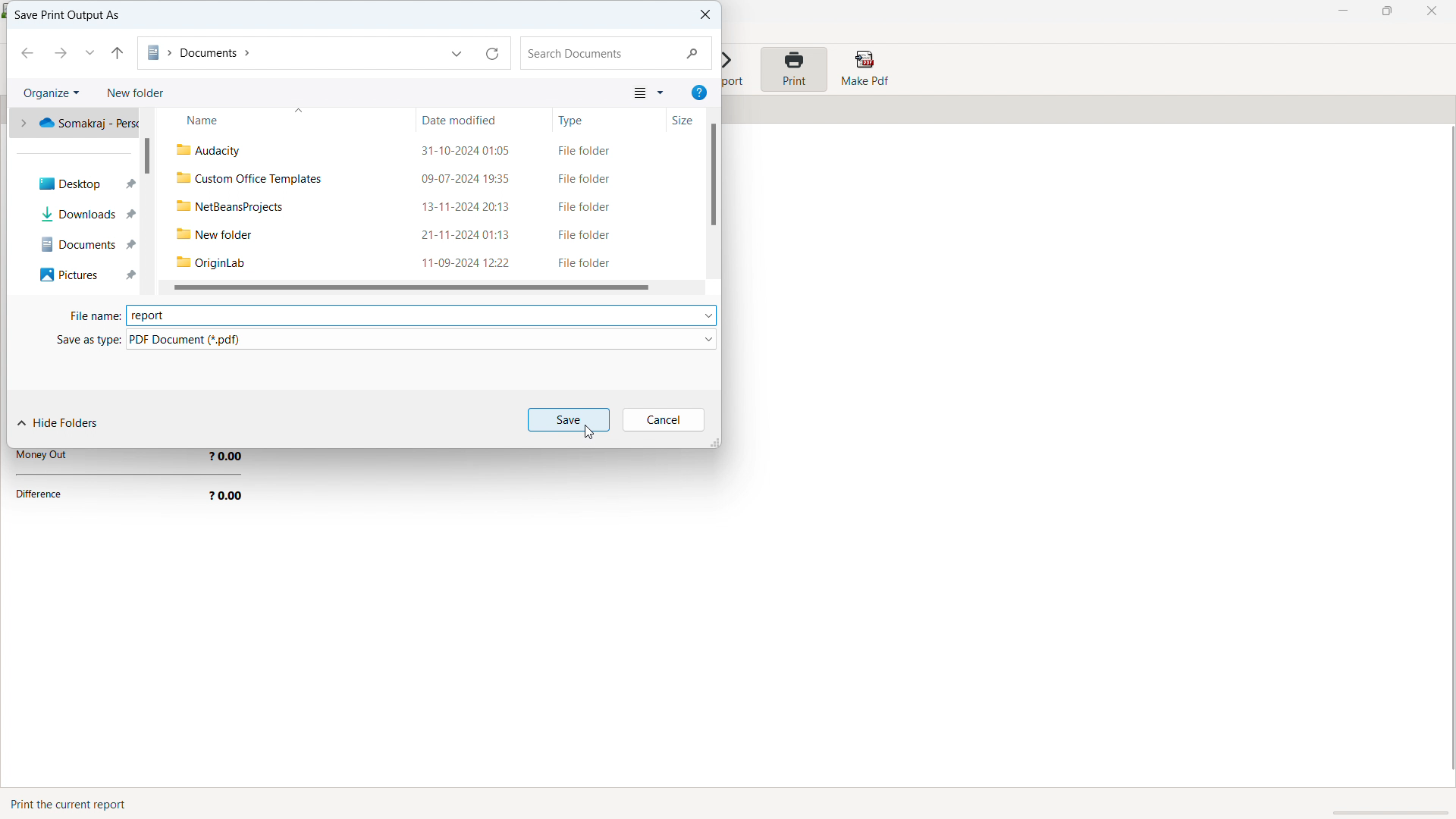 Image resolution: width=1456 pixels, height=819 pixels. What do you see at coordinates (648, 92) in the screenshot?
I see `view` at bounding box center [648, 92].